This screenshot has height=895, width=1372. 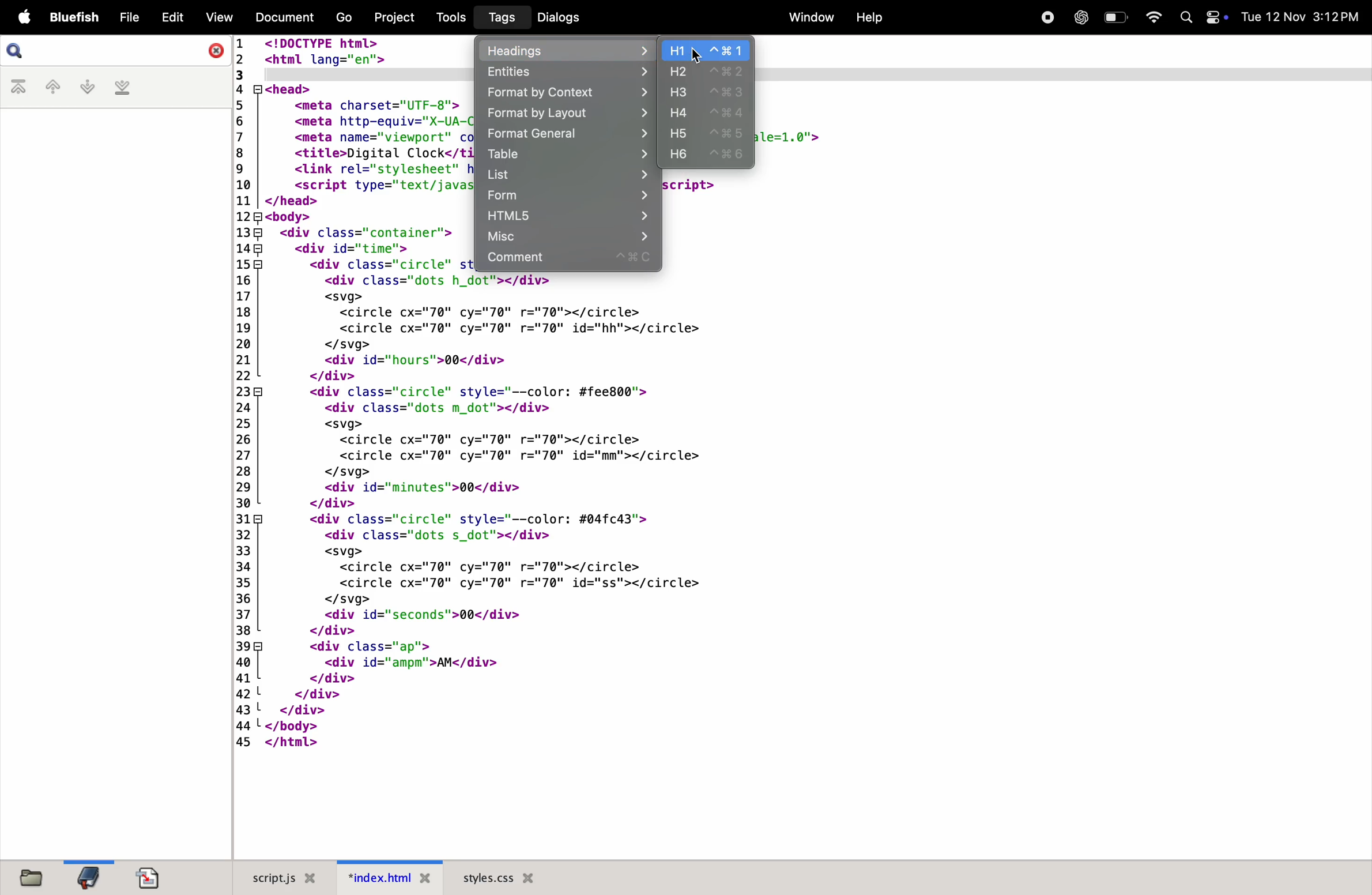 What do you see at coordinates (566, 237) in the screenshot?
I see `misc` at bounding box center [566, 237].